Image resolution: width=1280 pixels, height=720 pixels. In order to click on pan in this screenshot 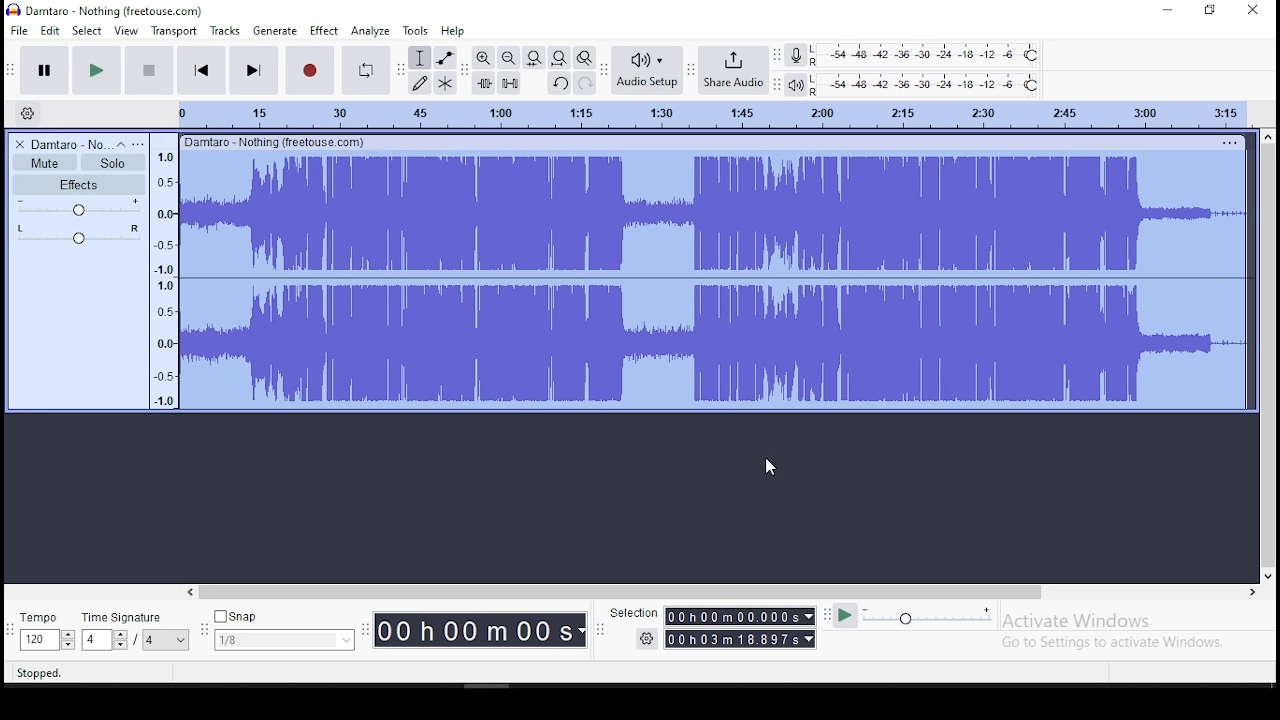, I will do `click(78, 233)`.